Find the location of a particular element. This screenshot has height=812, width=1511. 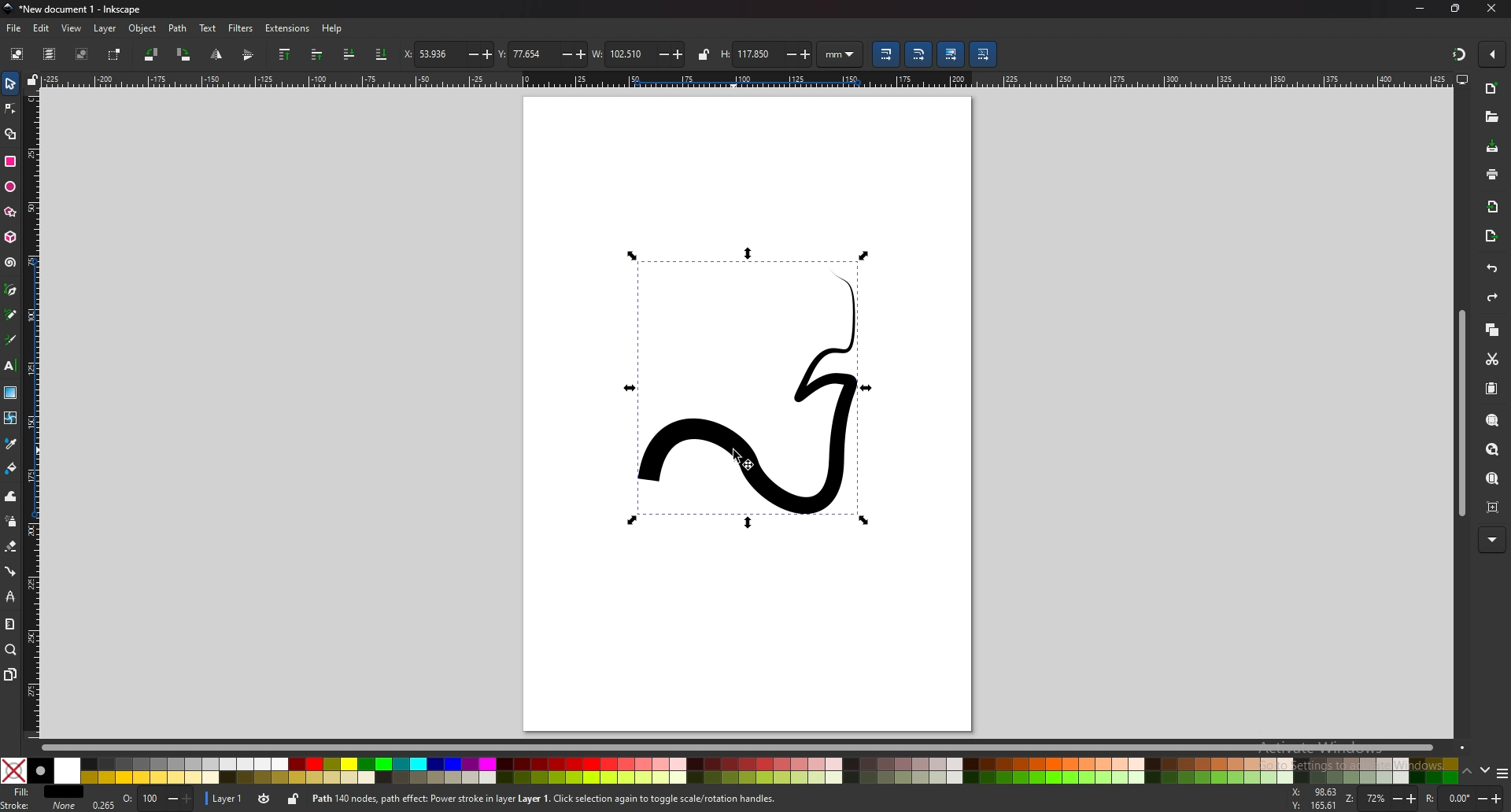

toggle visibility is located at coordinates (265, 799).